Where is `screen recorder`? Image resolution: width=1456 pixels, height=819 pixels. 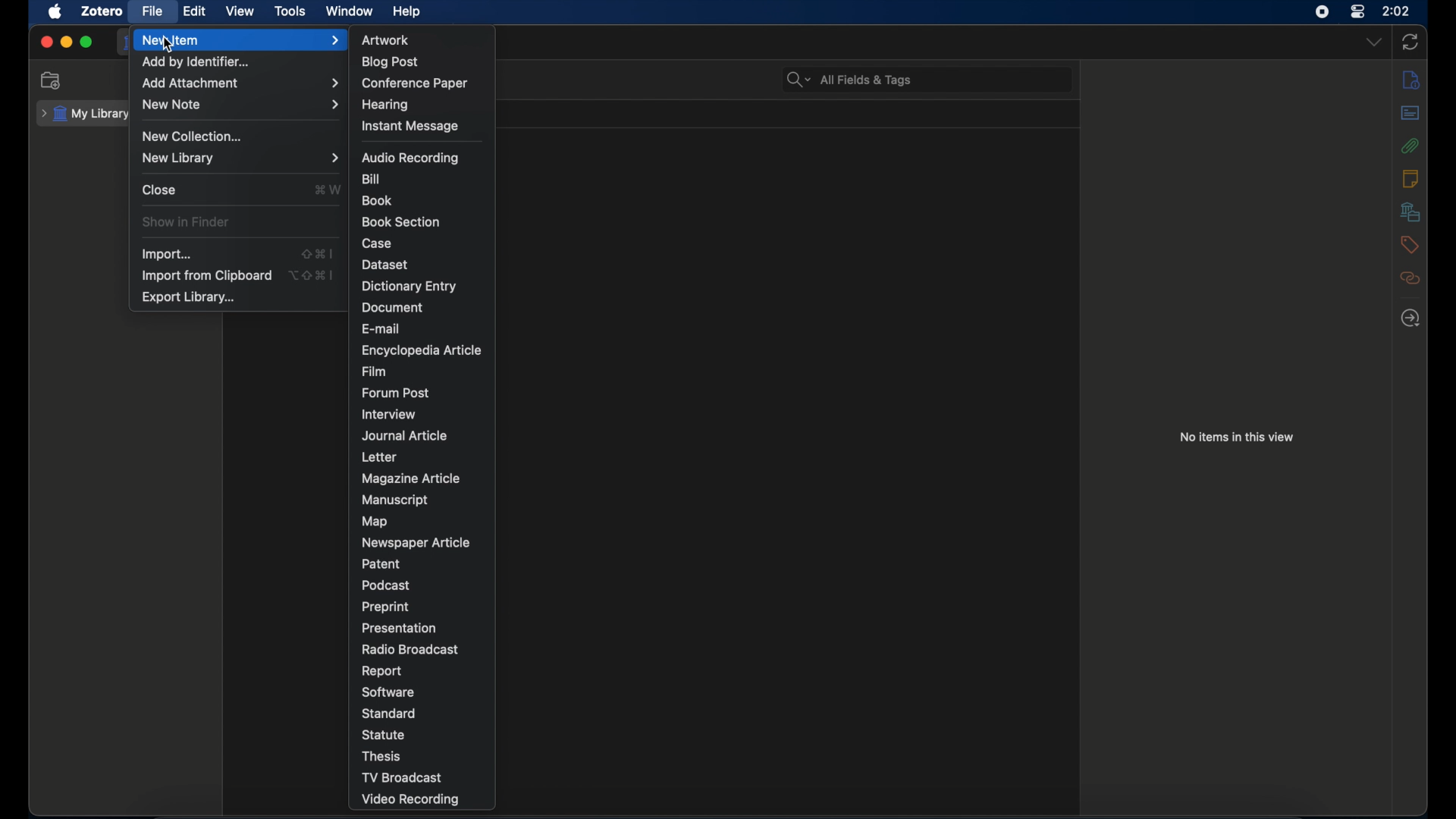
screen recorder is located at coordinates (1321, 11).